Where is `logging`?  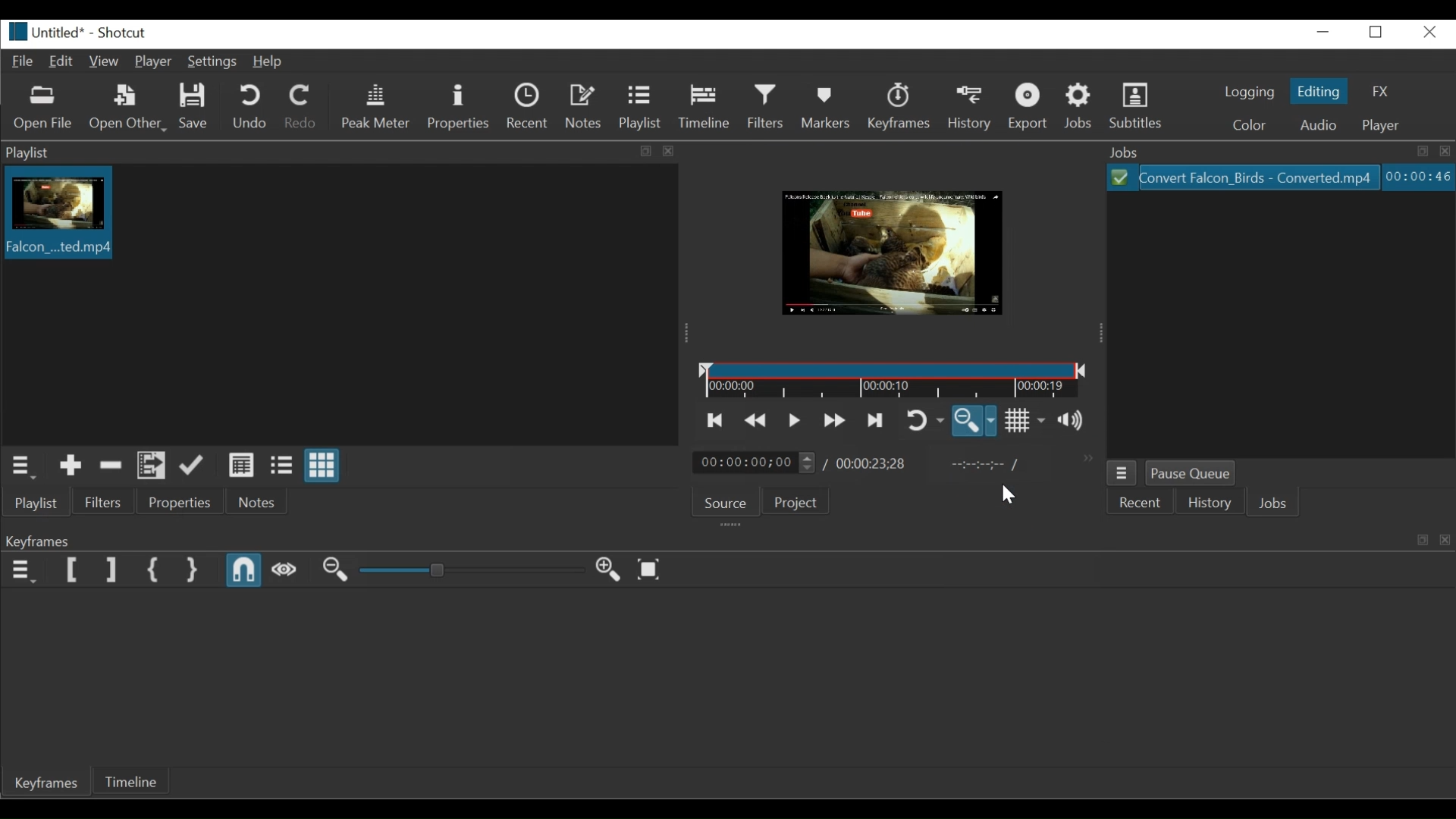 logging is located at coordinates (1247, 91).